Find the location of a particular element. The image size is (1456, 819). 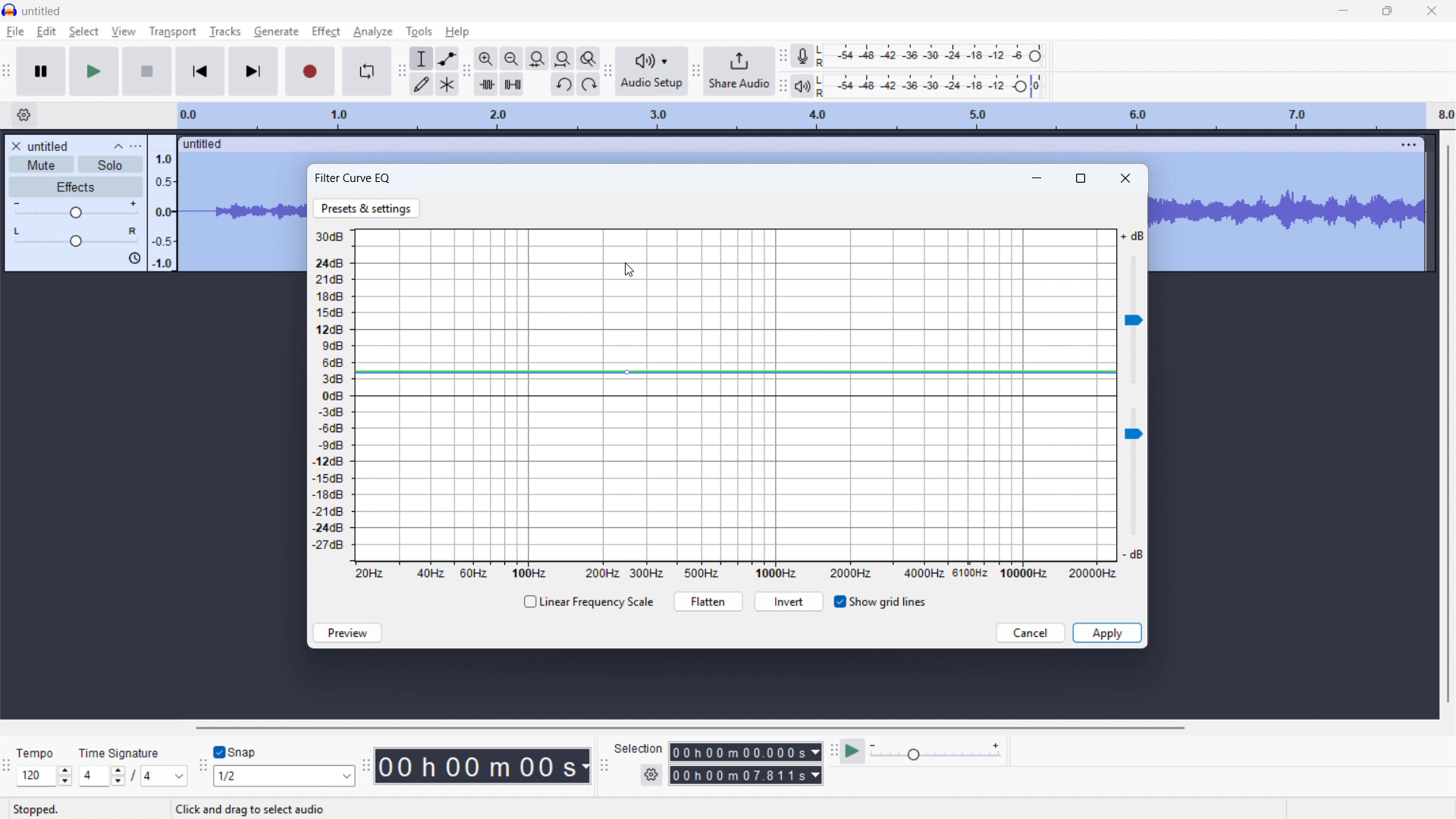

tracks is located at coordinates (224, 31).